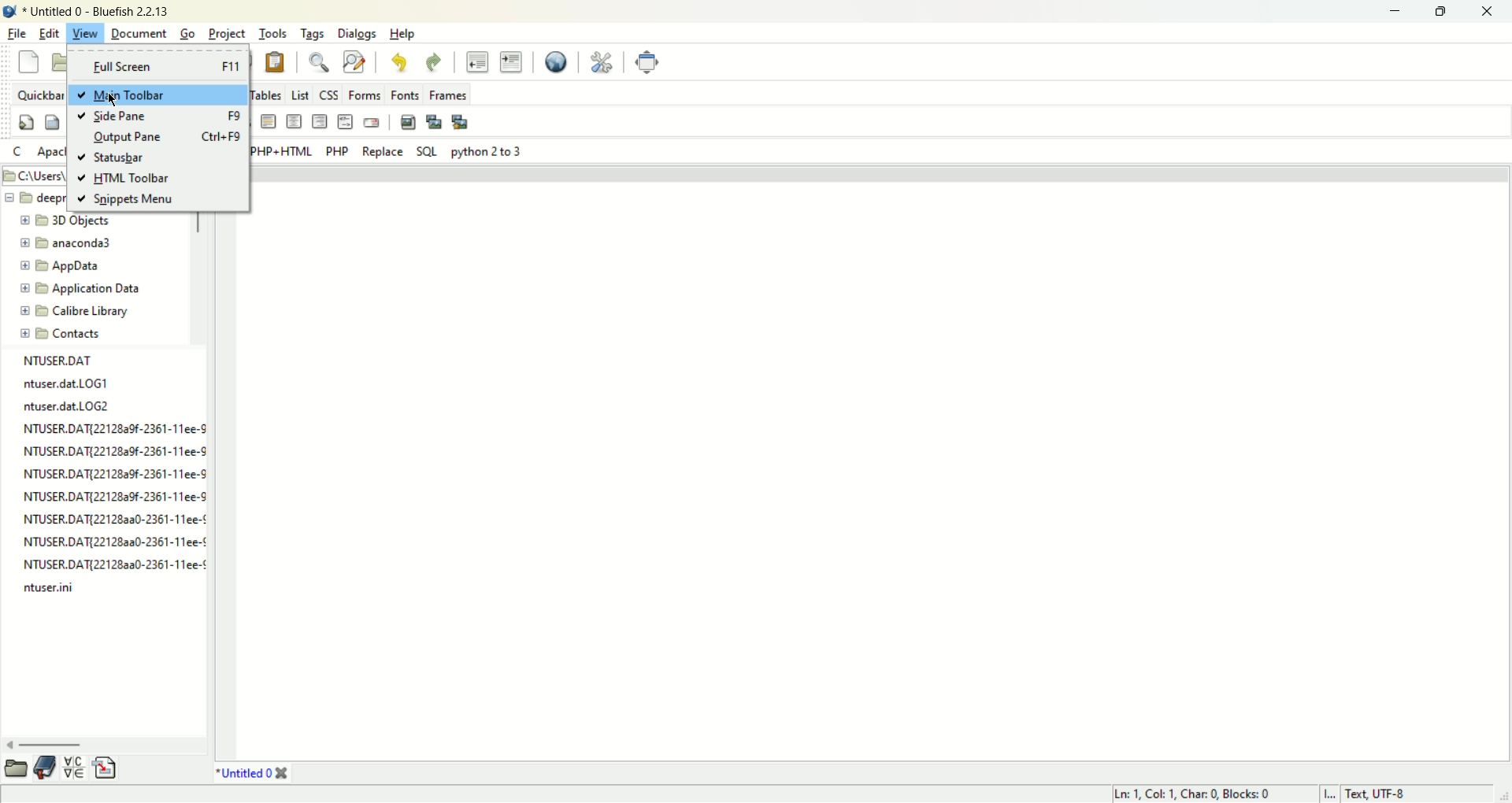  What do you see at coordinates (166, 137) in the screenshot?
I see `output pane` at bounding box center [166, 137].